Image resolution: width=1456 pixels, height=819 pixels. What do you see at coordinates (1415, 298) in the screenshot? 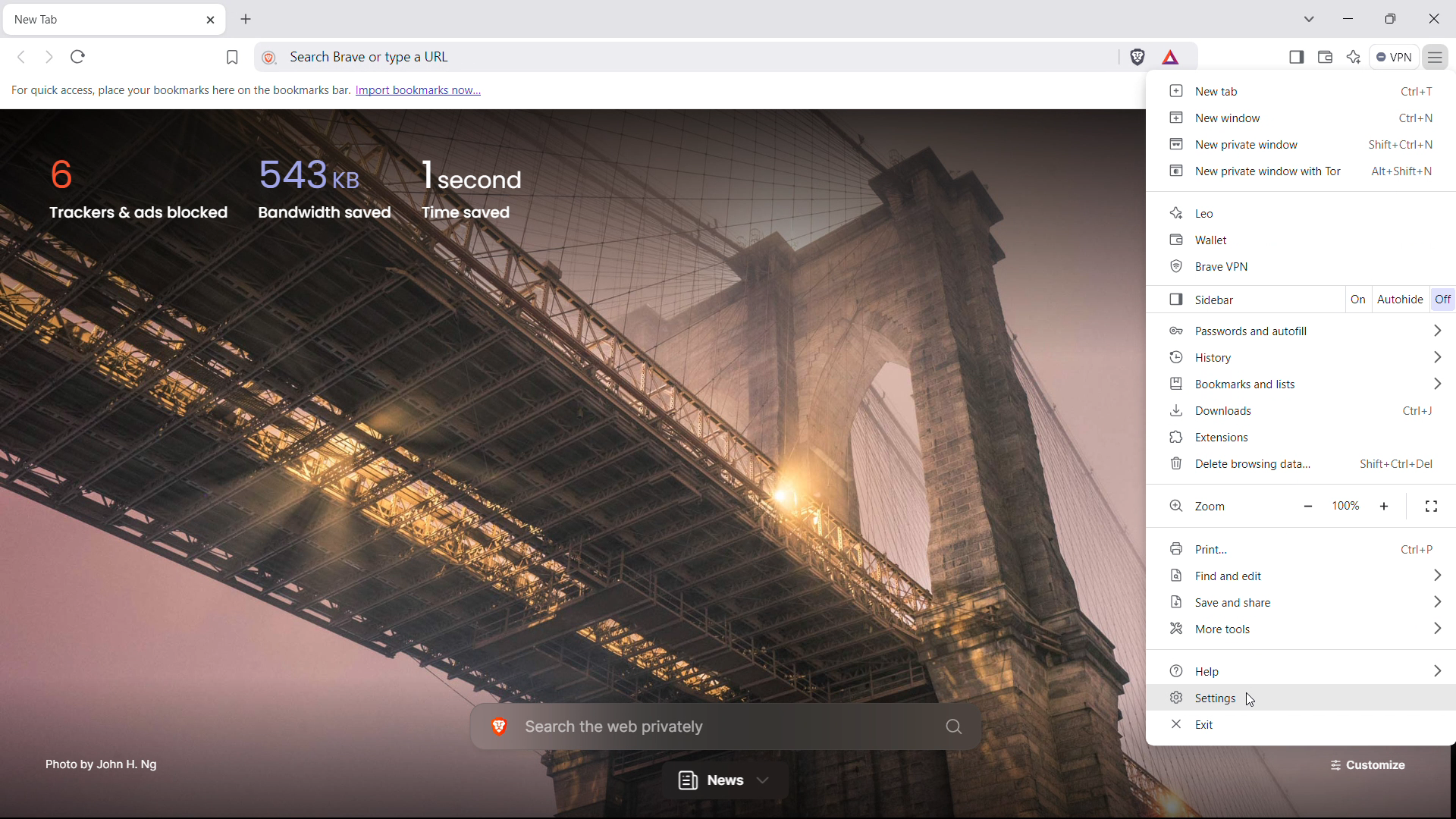
I see `autohide toggle` at bounding box center [1415, 298].